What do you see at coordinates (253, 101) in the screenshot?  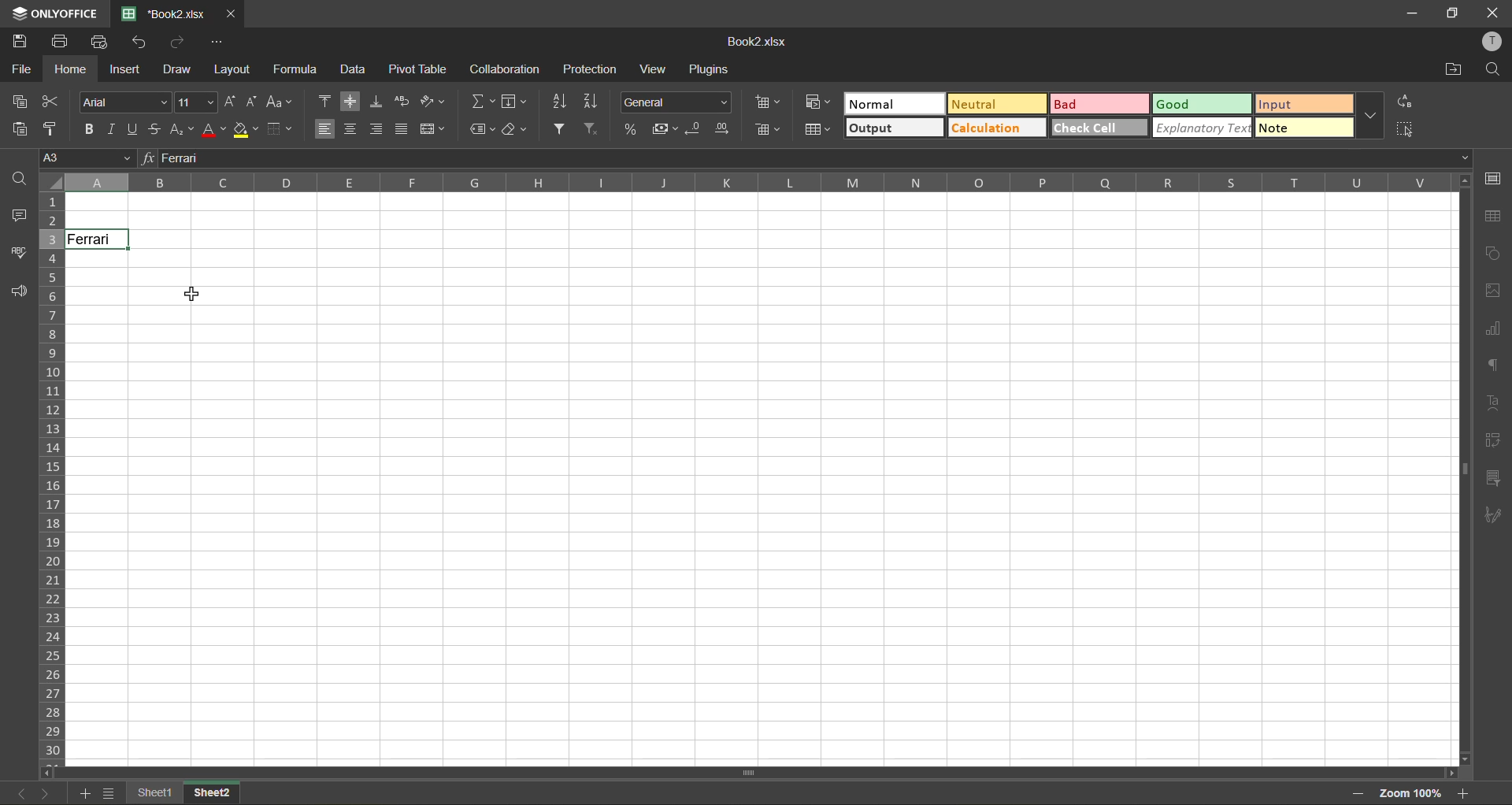 I see `decrement size` at bounding box center [253, 101].